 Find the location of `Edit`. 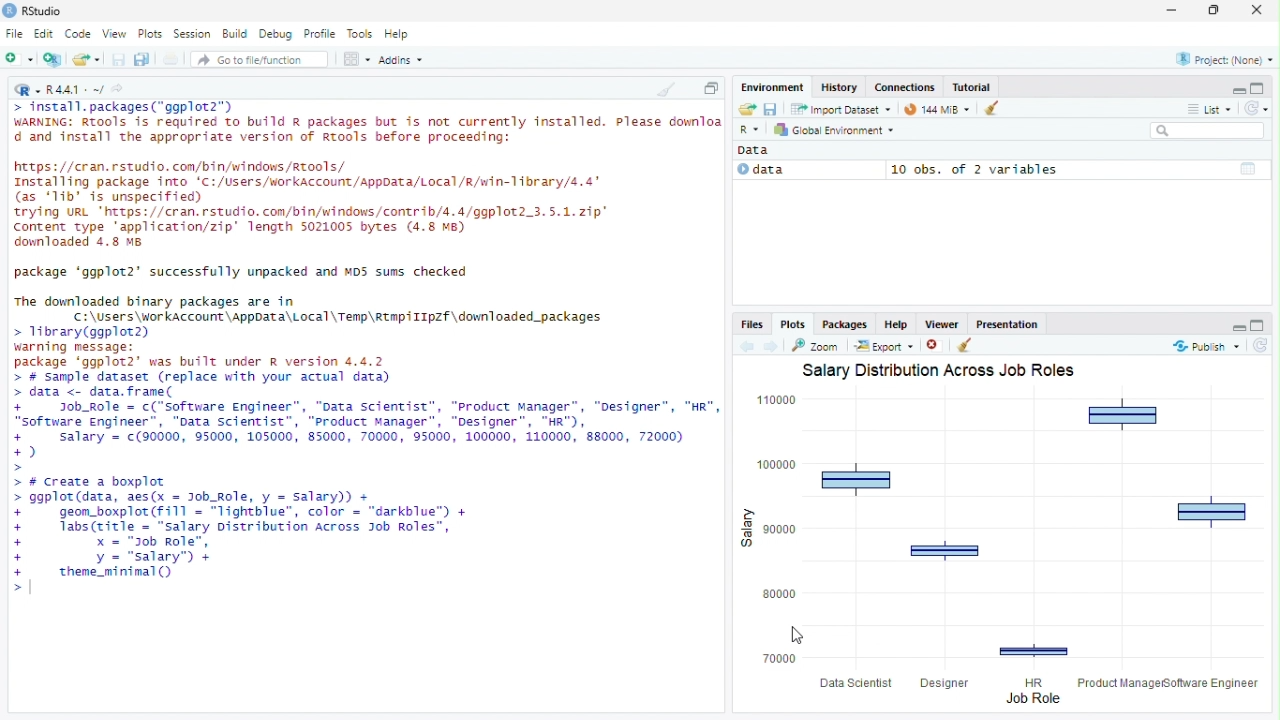

Edit is located at coordinates (43, 35).